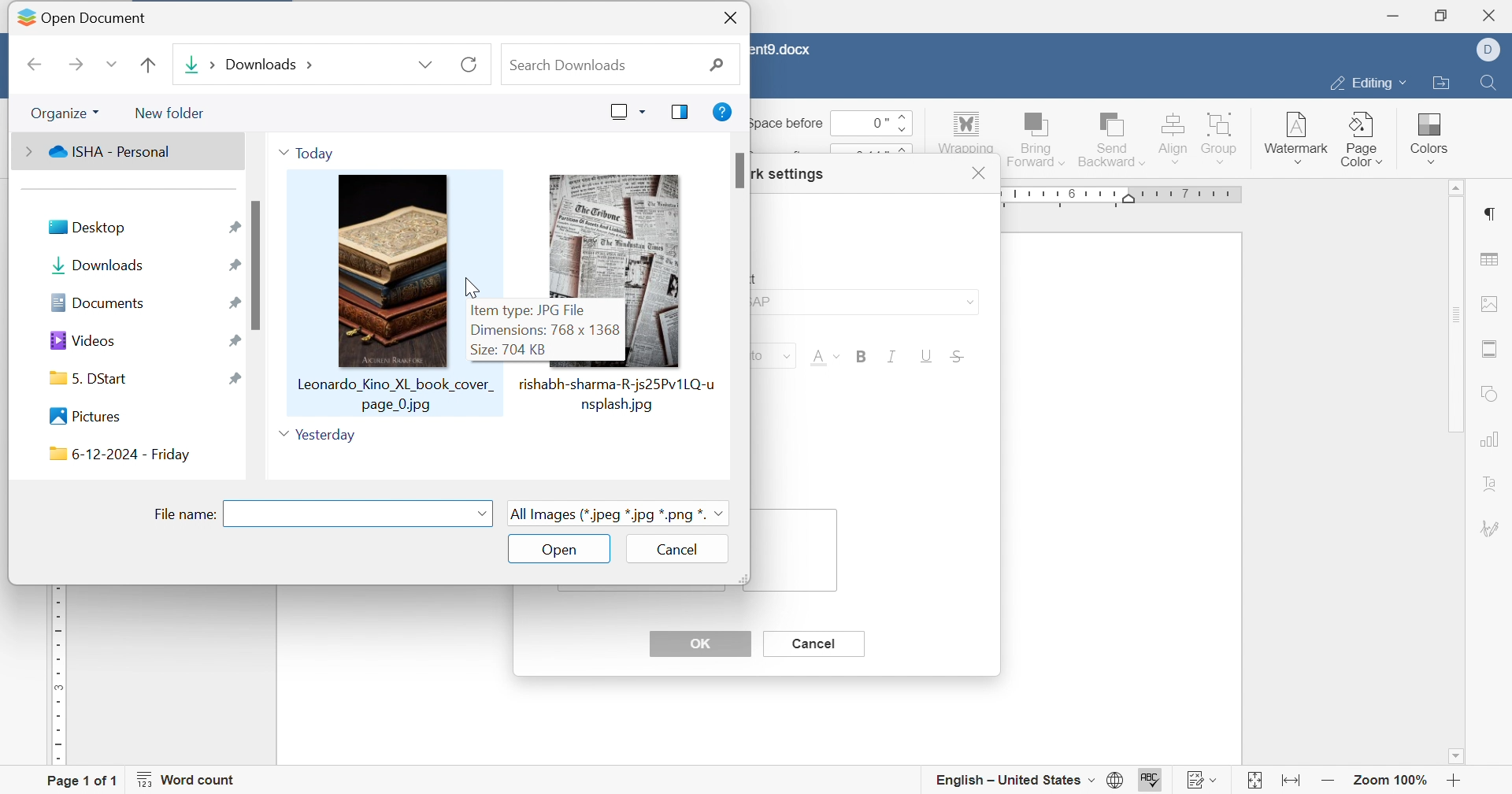  I want to click on drop down, so click(426, 65).